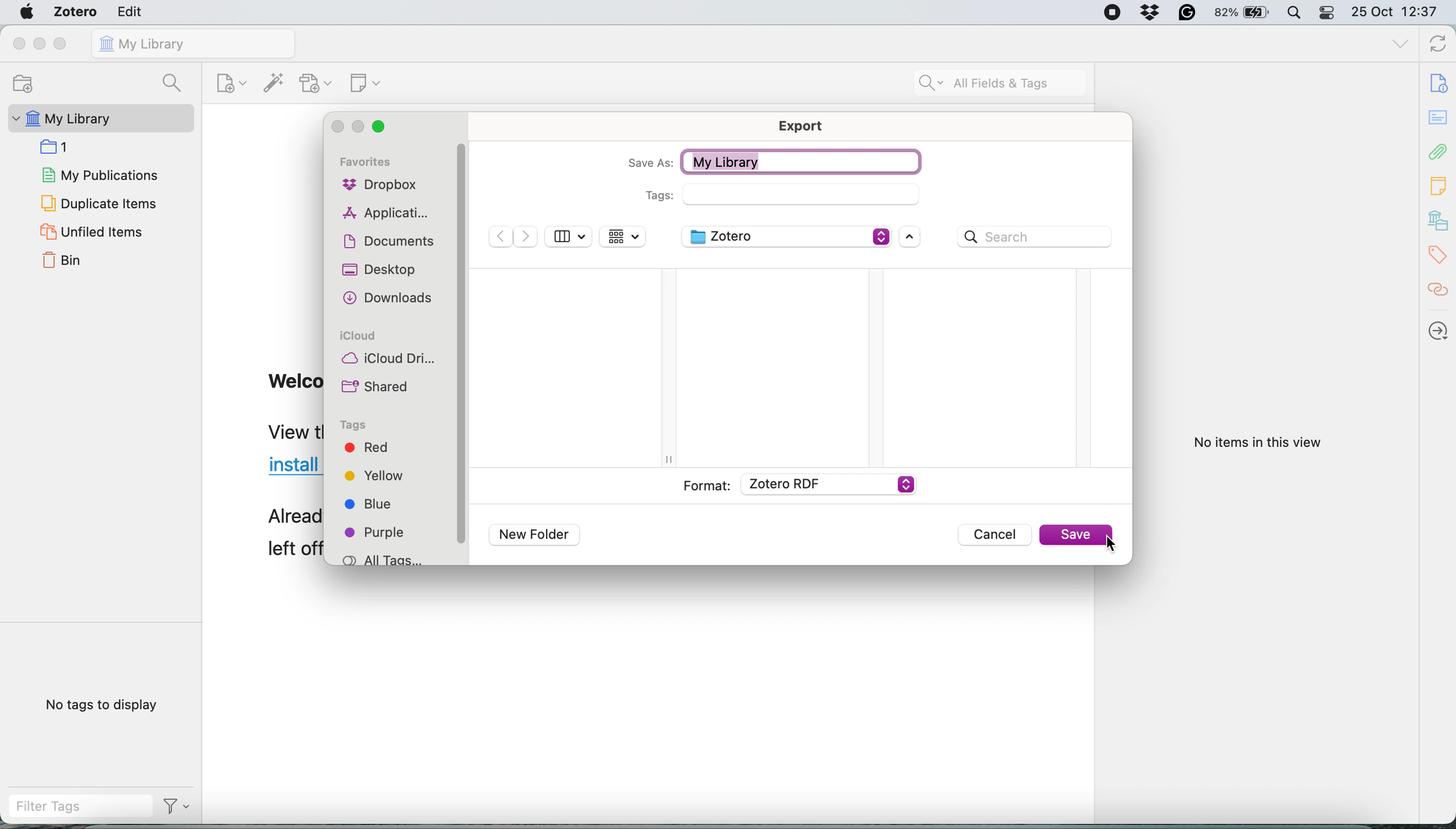  Describe the element at coordinates (798, 485) in the screenshot. I see `Format: Zotero RDF` at that location.